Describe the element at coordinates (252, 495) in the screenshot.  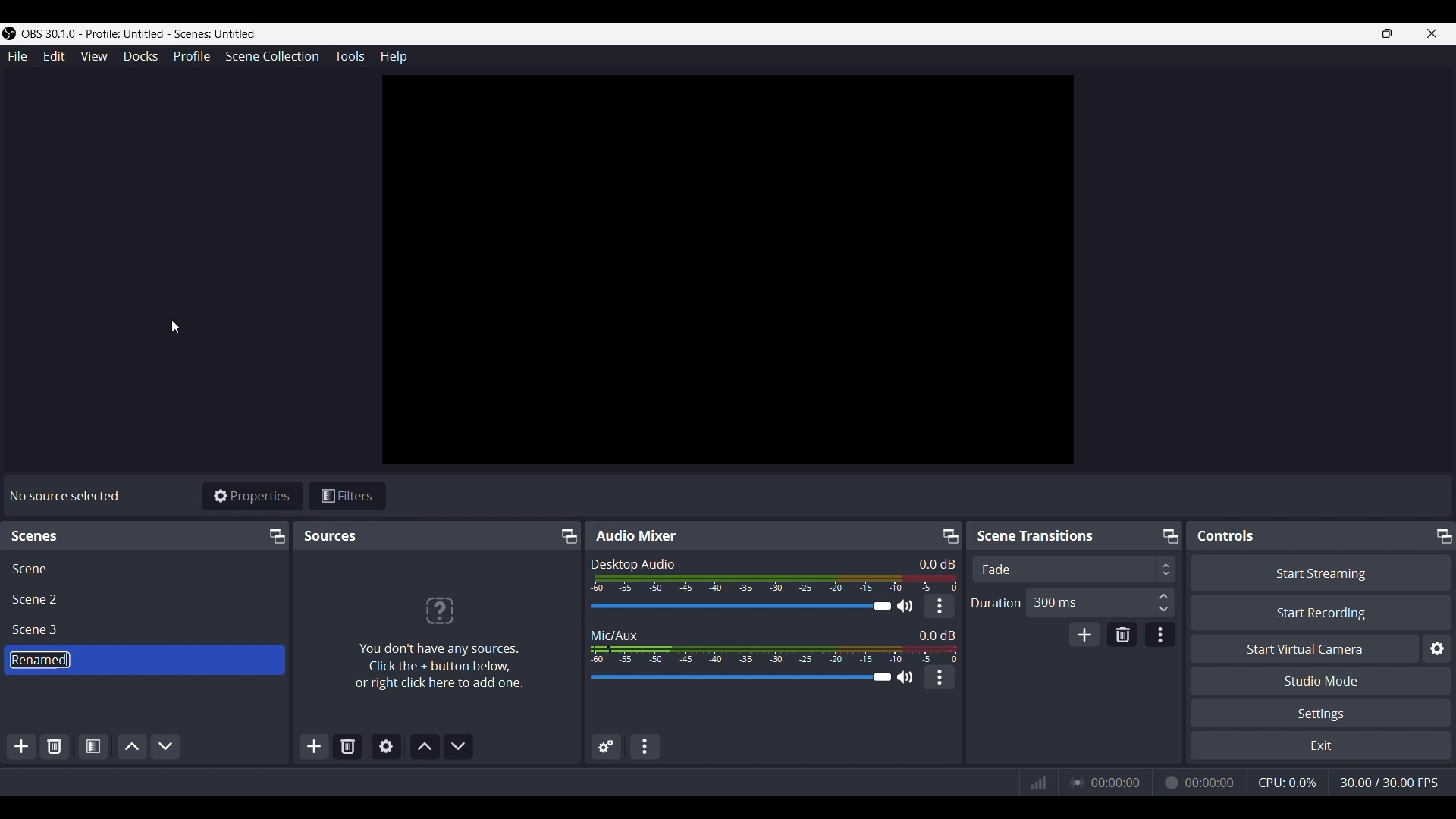
I see `Properties` at that location.